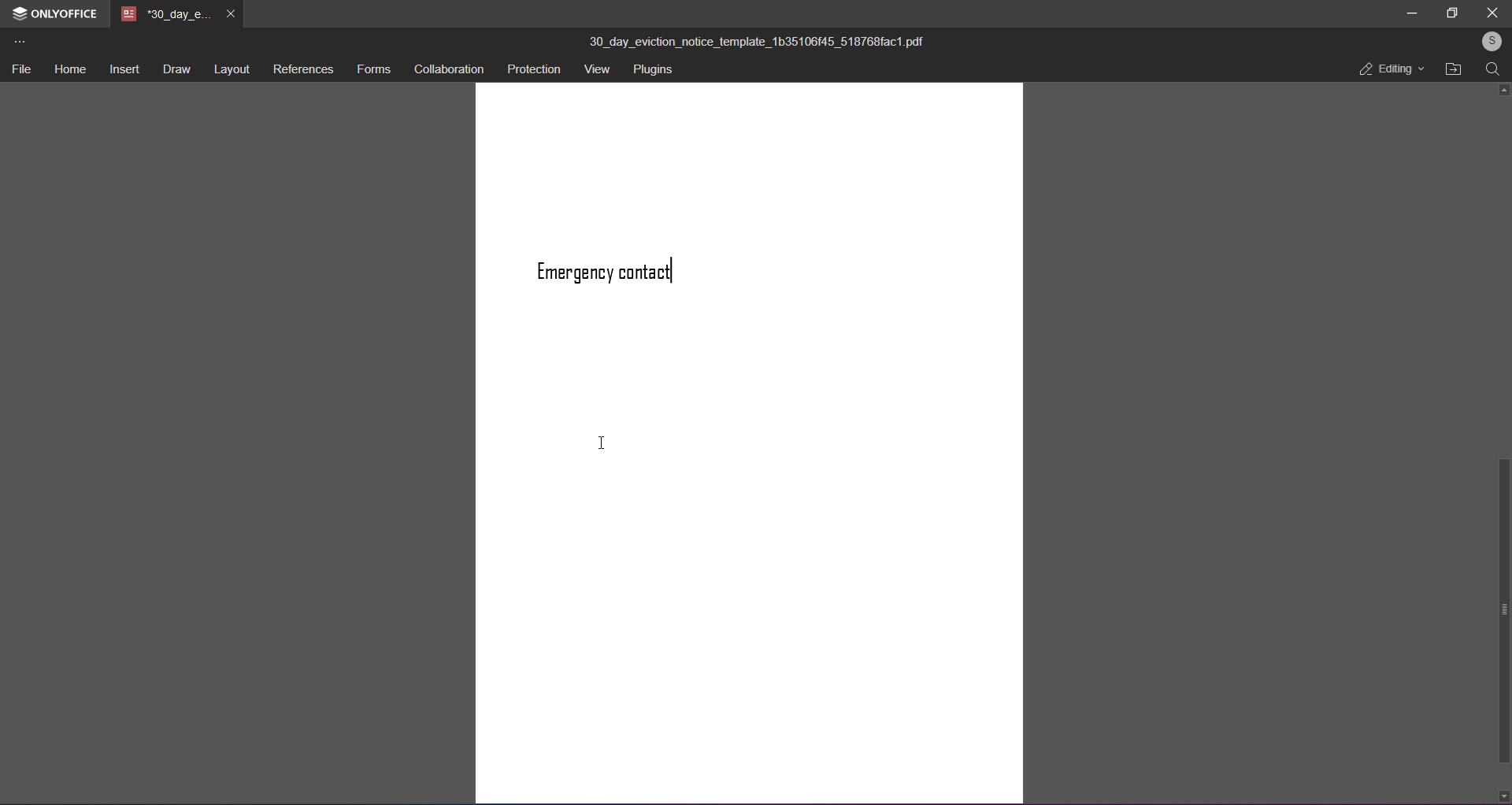 This screenshot has width=1512, height=805. What do you see at coordinates (21, 71) in the screenshot?
I see `file` at bounding box center [21, 71].